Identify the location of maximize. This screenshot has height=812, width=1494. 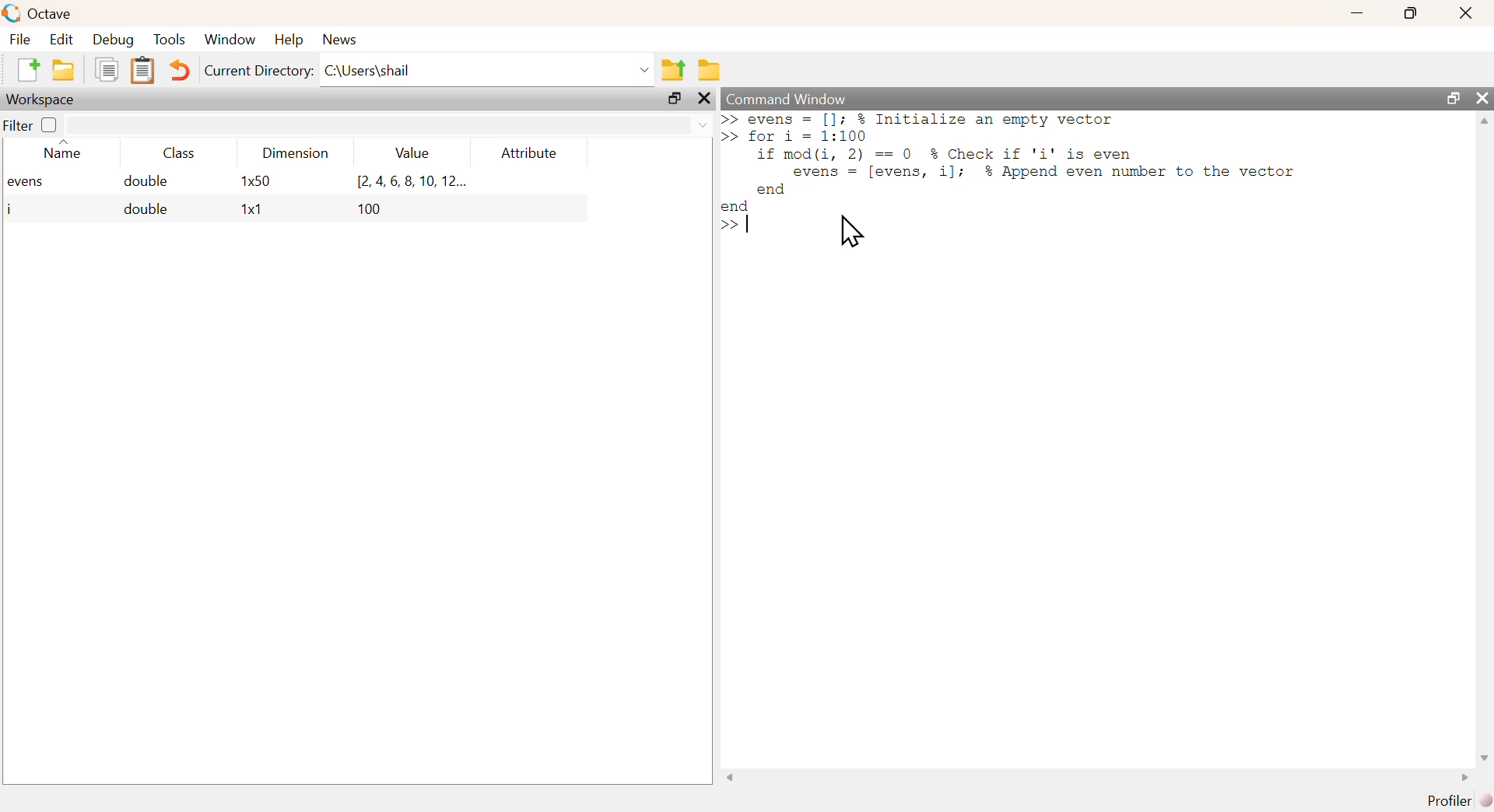
(1408, 13).